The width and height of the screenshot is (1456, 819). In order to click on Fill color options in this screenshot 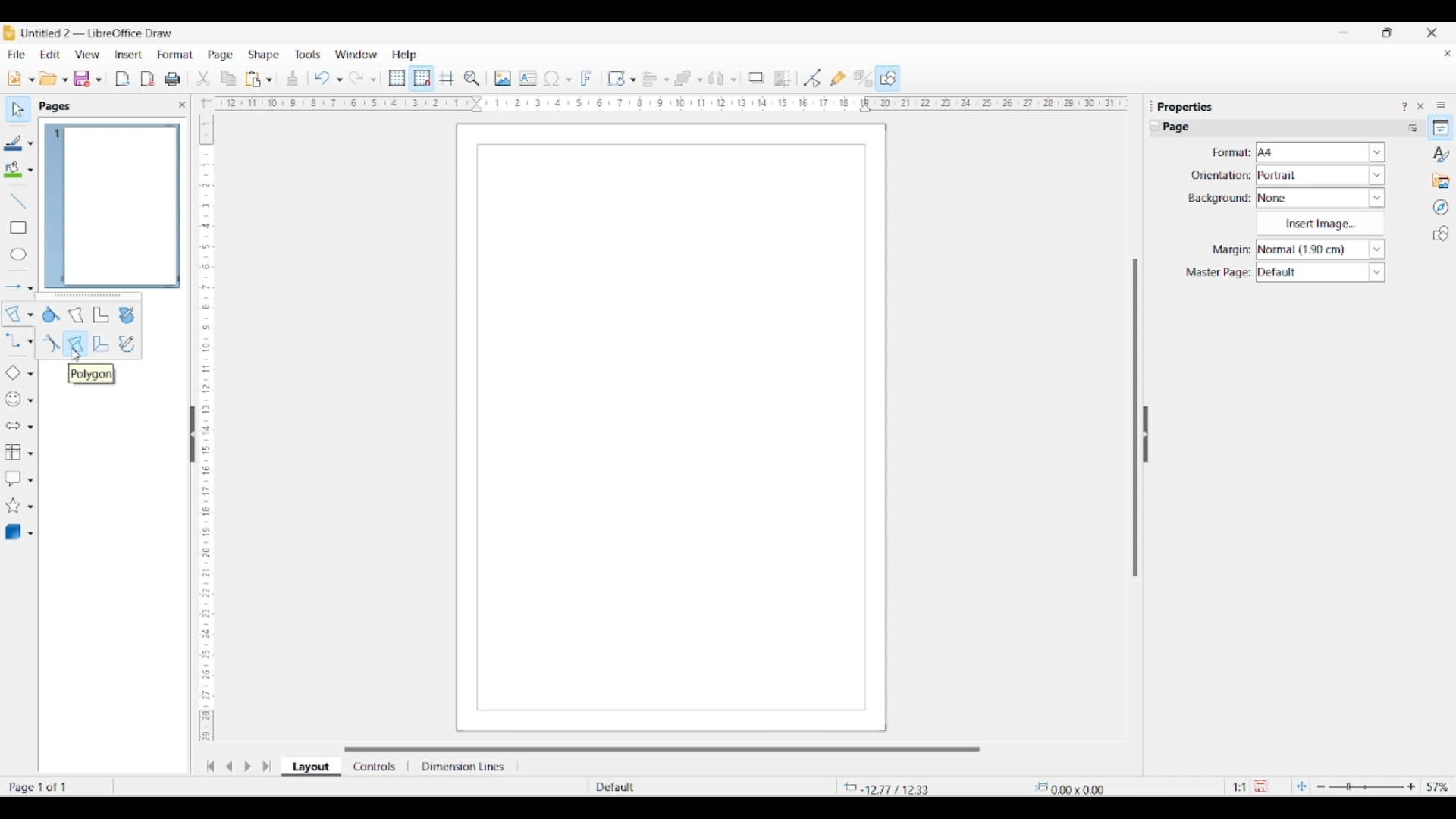, I will do `click(30, 171)`.